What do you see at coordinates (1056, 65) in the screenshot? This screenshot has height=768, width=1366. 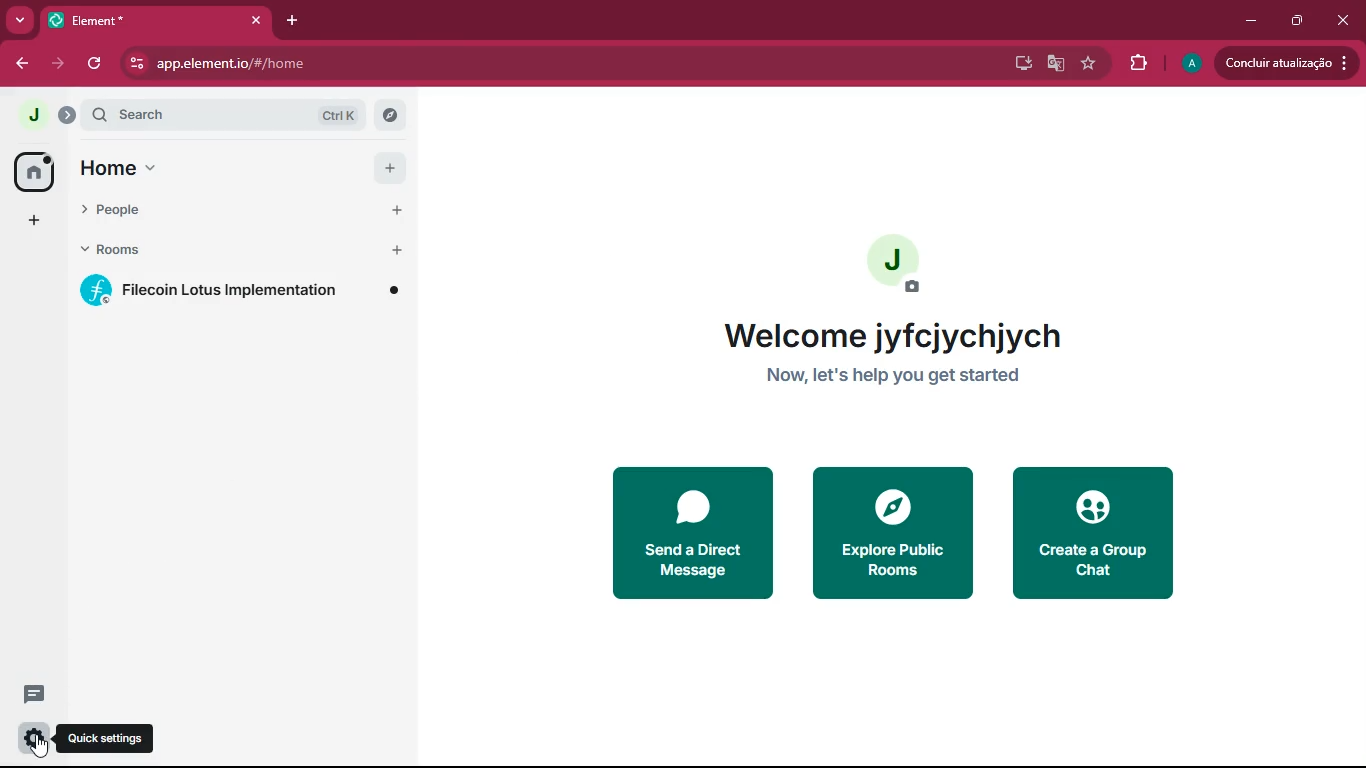 I see `google translate` at bounding box center [1056, 65].